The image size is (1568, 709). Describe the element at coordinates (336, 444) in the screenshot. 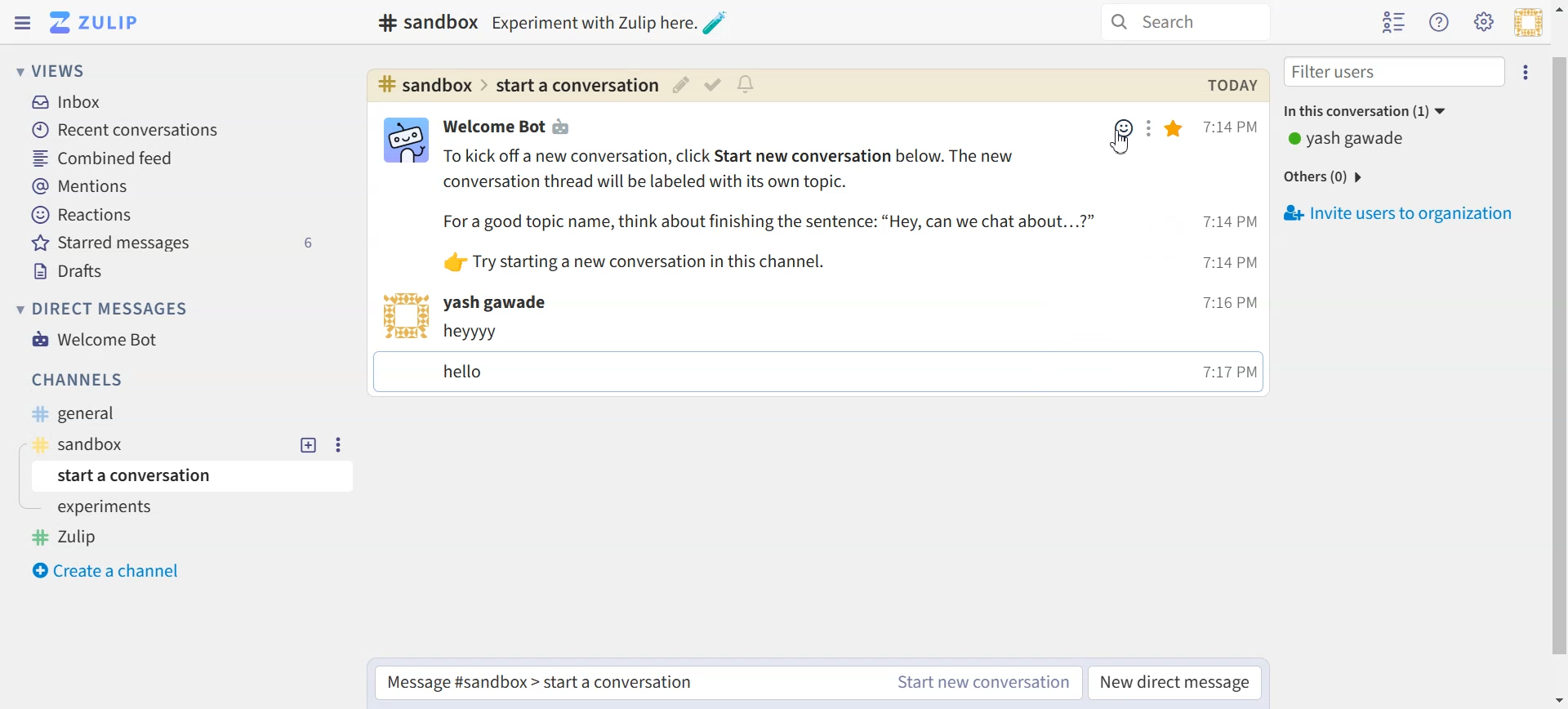

I see `Settings` at that location.